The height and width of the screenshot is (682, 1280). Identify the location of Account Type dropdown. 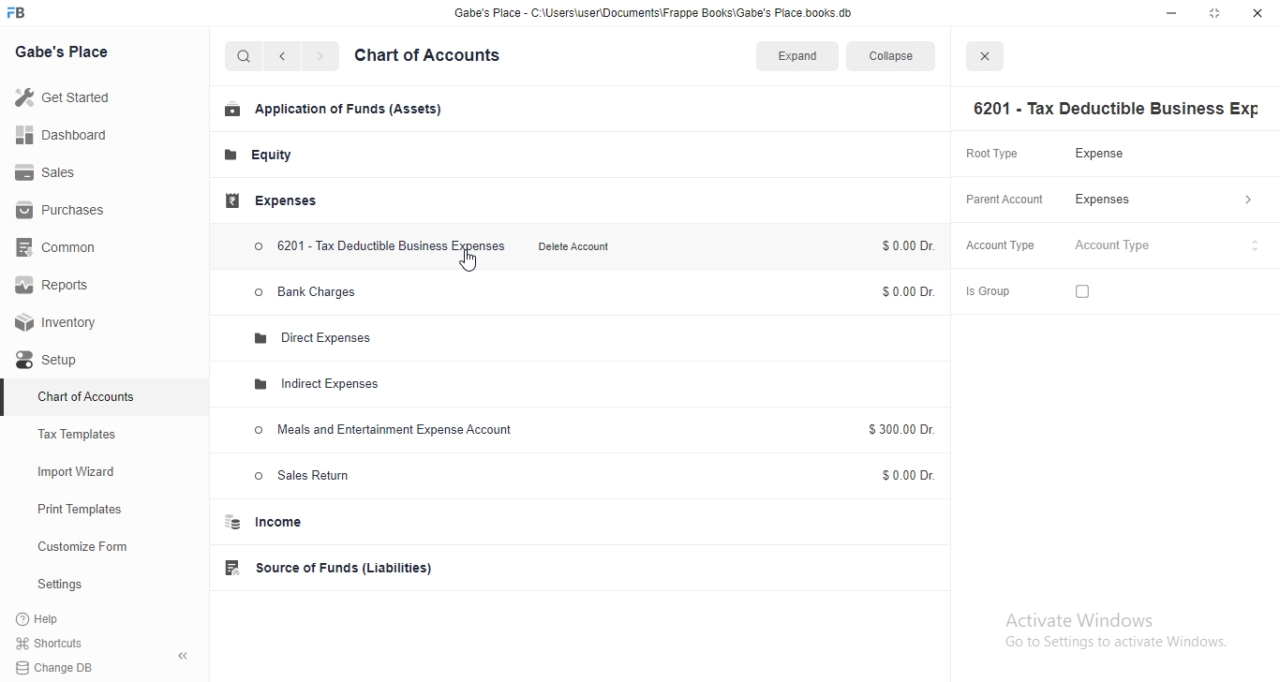
(1168, 247).